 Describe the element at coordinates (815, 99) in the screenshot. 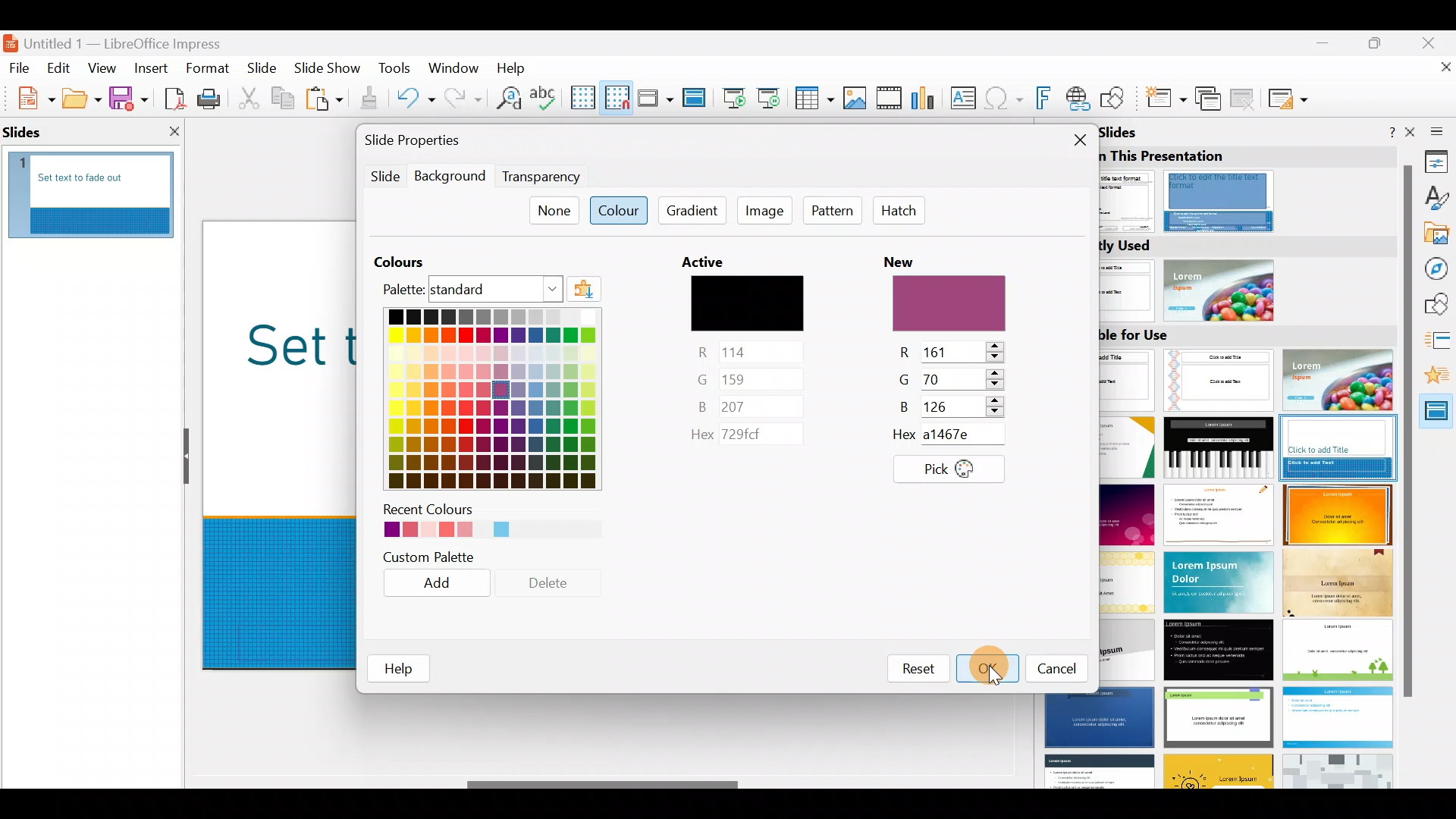

I see `Table` at that location.